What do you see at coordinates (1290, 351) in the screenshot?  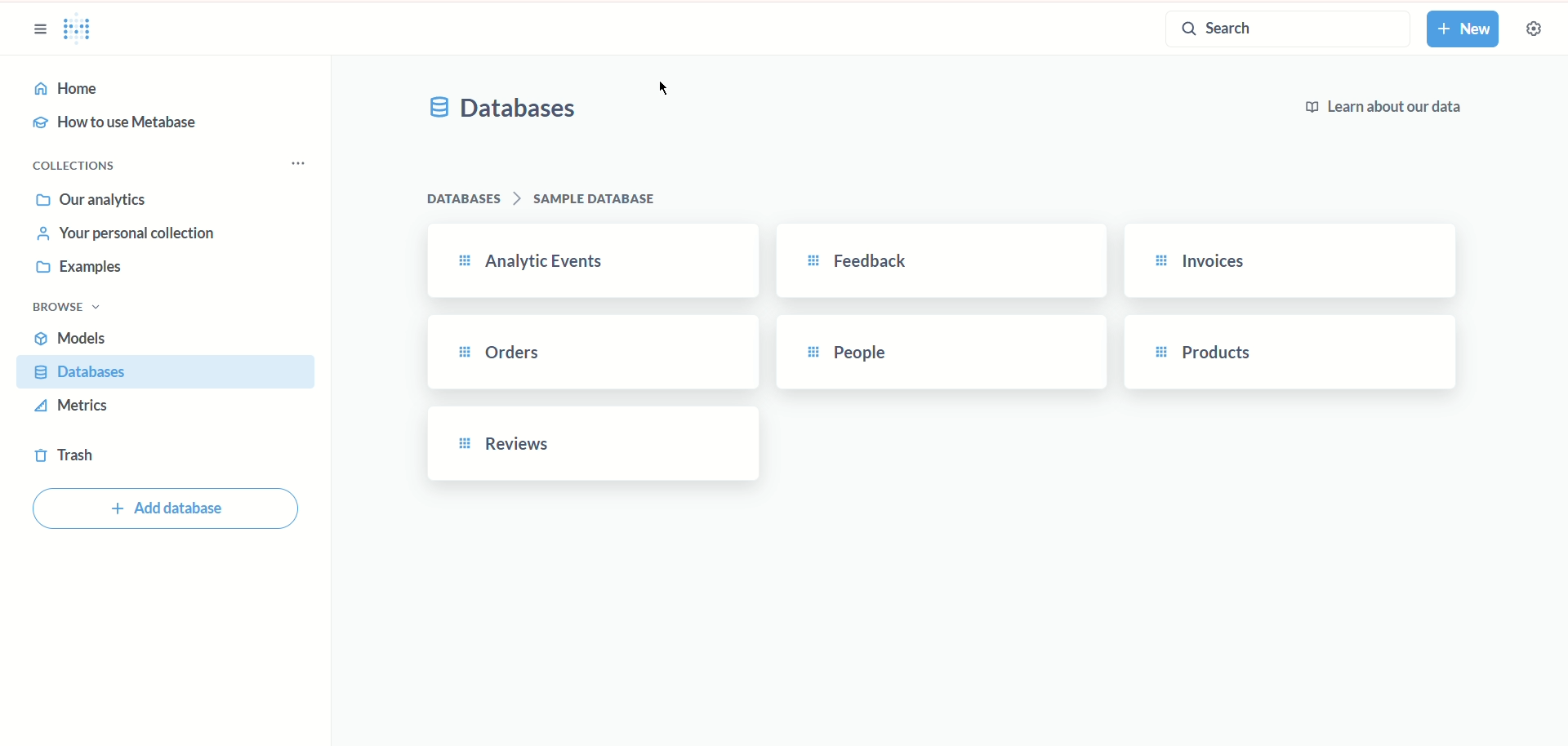 I see `products` at bounding box center [1290, 351].